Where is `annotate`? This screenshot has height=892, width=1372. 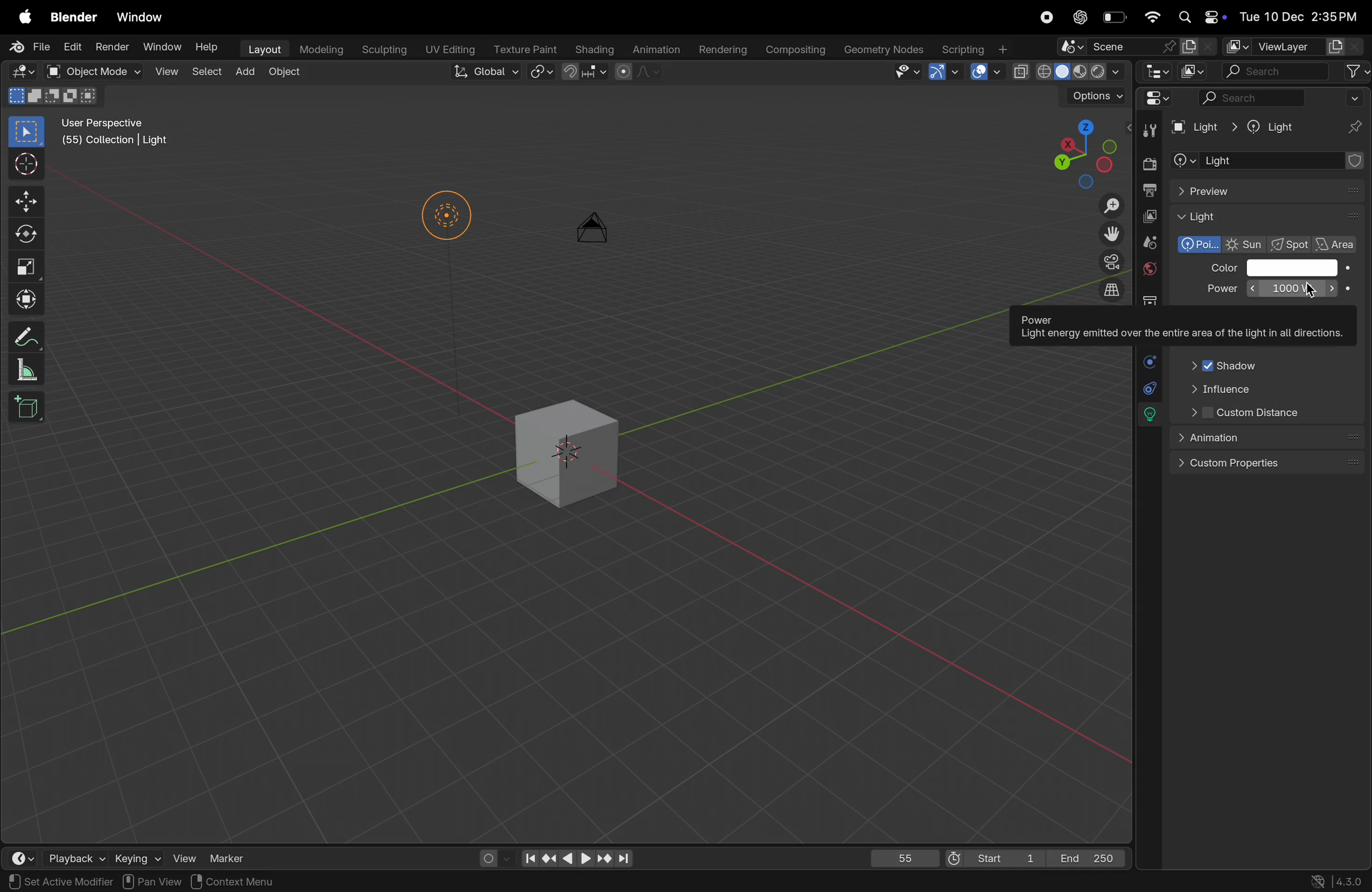
annotate is located at coordinates (29, 335).